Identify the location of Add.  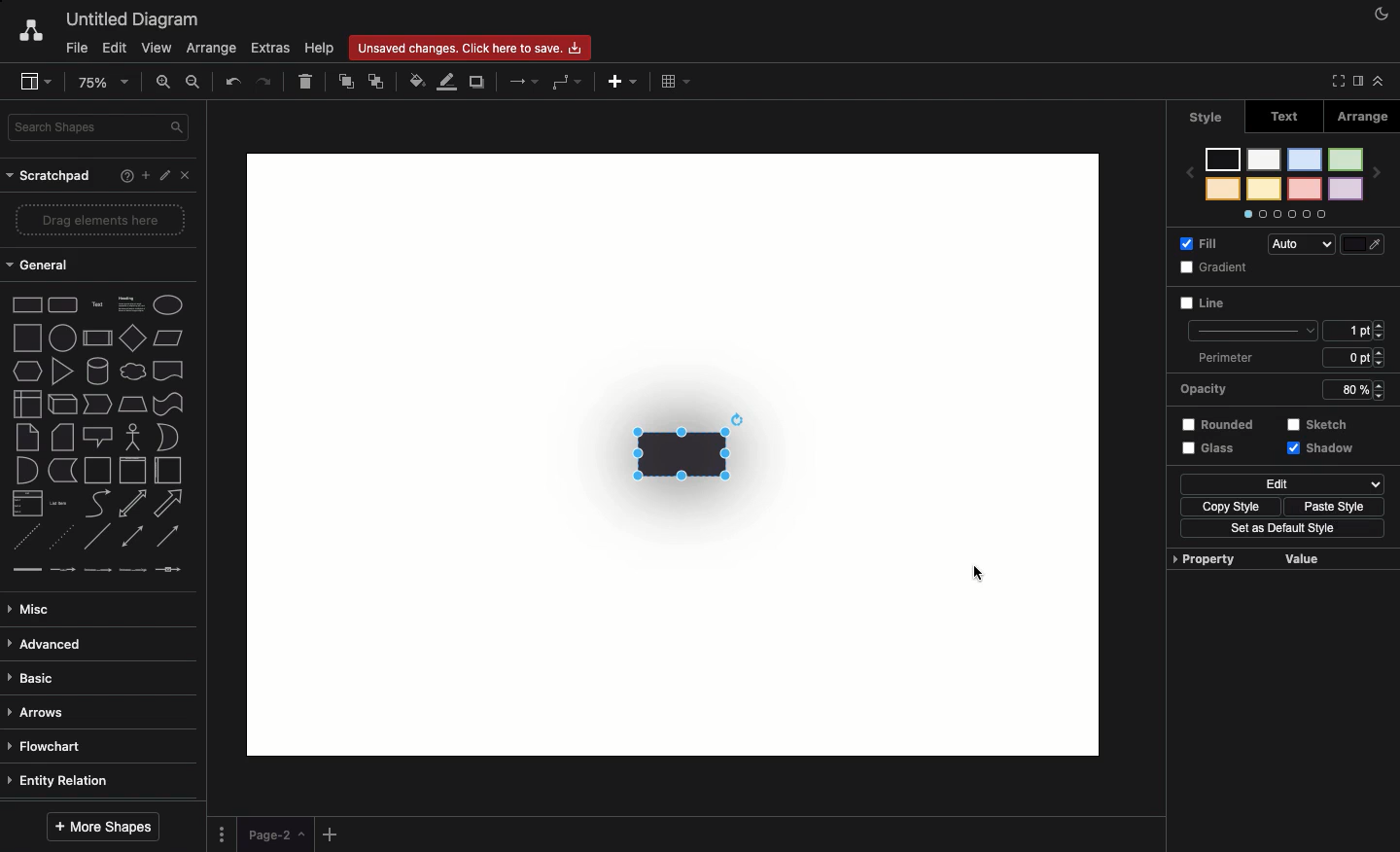
(332, 834).